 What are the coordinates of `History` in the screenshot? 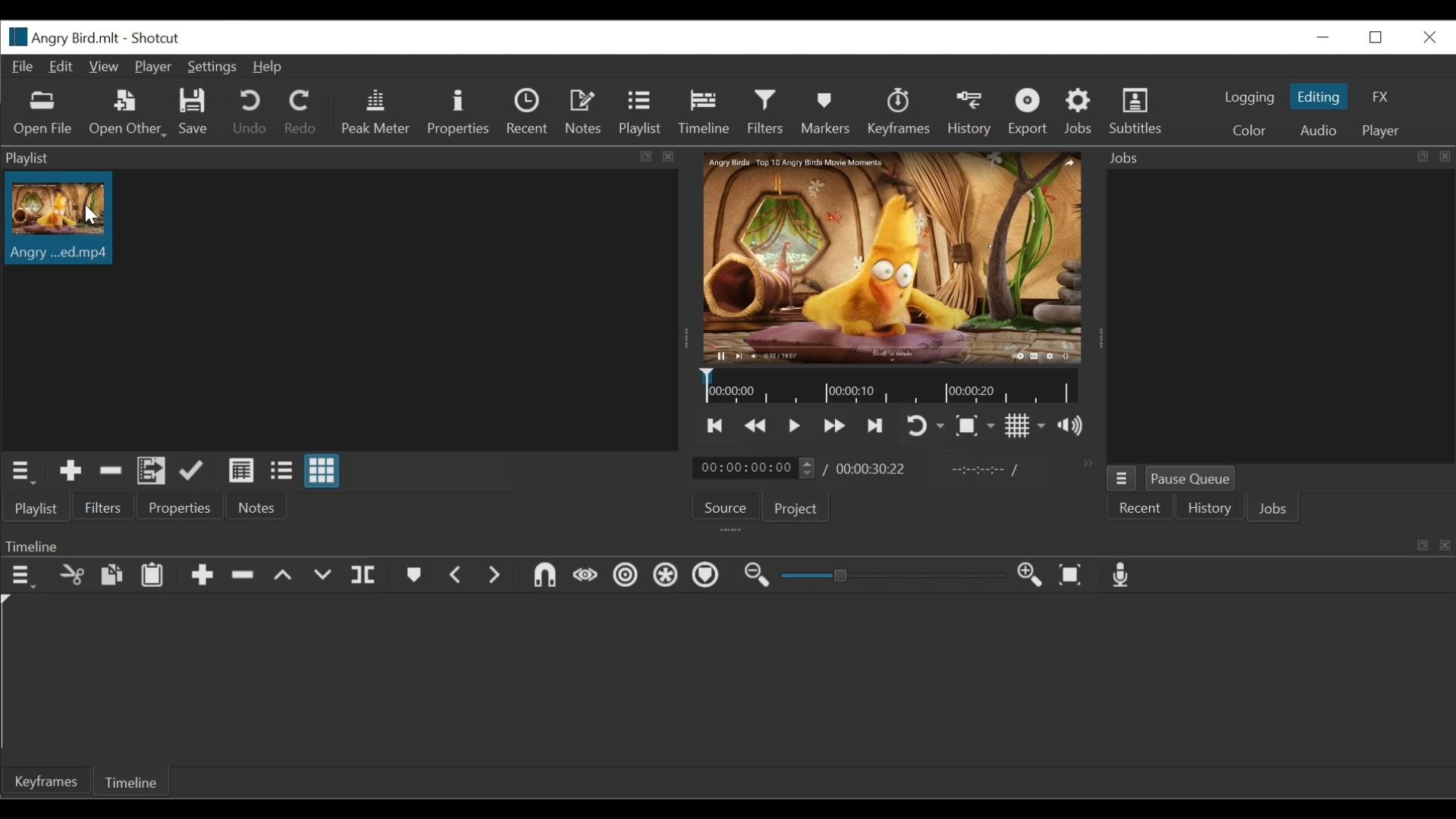 It's located at (970, 113).